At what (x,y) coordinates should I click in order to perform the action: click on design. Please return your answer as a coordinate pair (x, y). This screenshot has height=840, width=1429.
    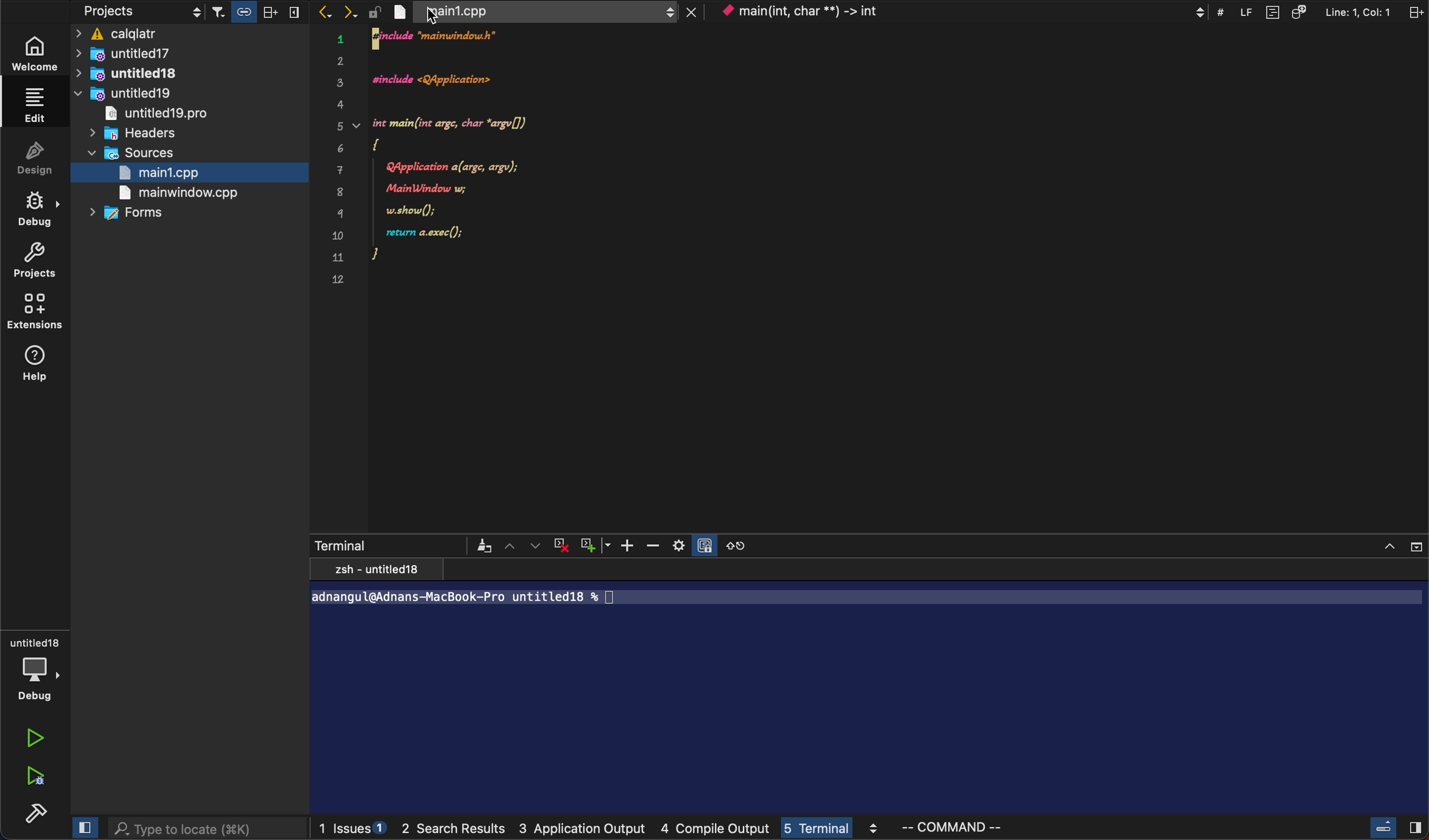
    Looking at the image, I should click on (33, 159).